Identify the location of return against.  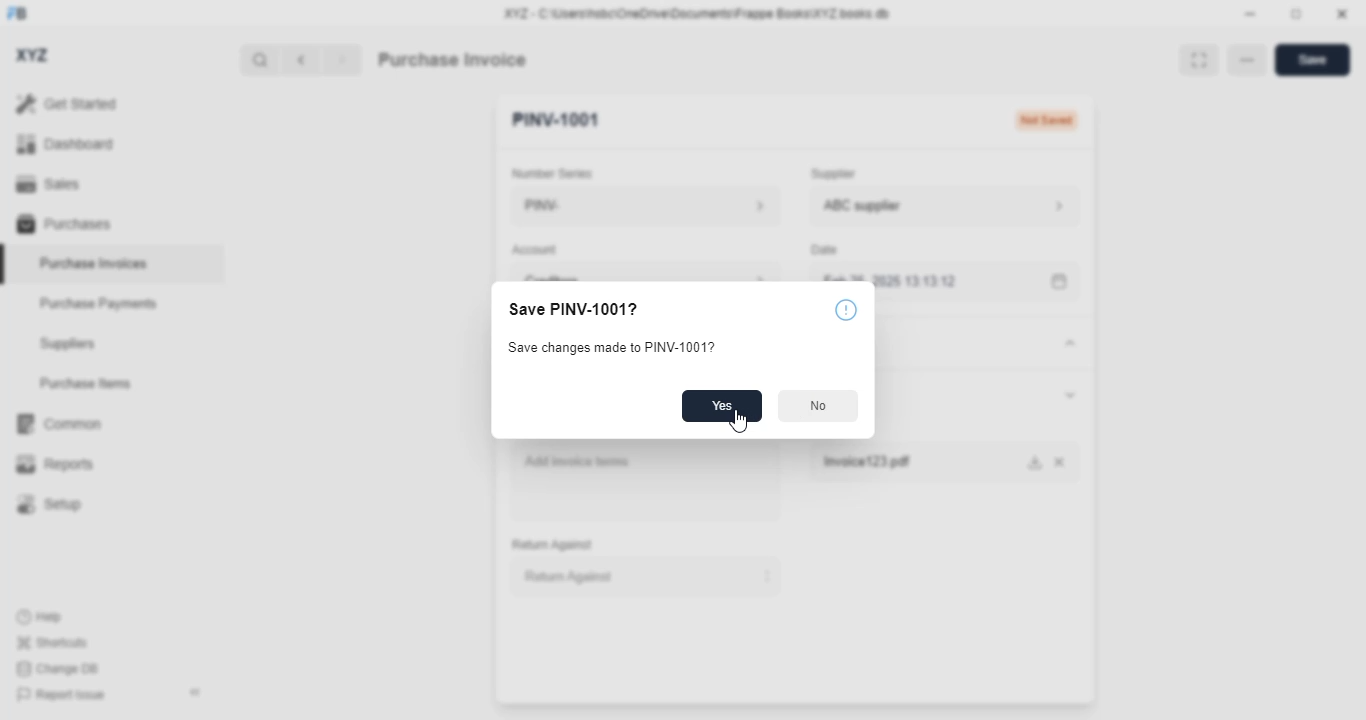
(647, 577).